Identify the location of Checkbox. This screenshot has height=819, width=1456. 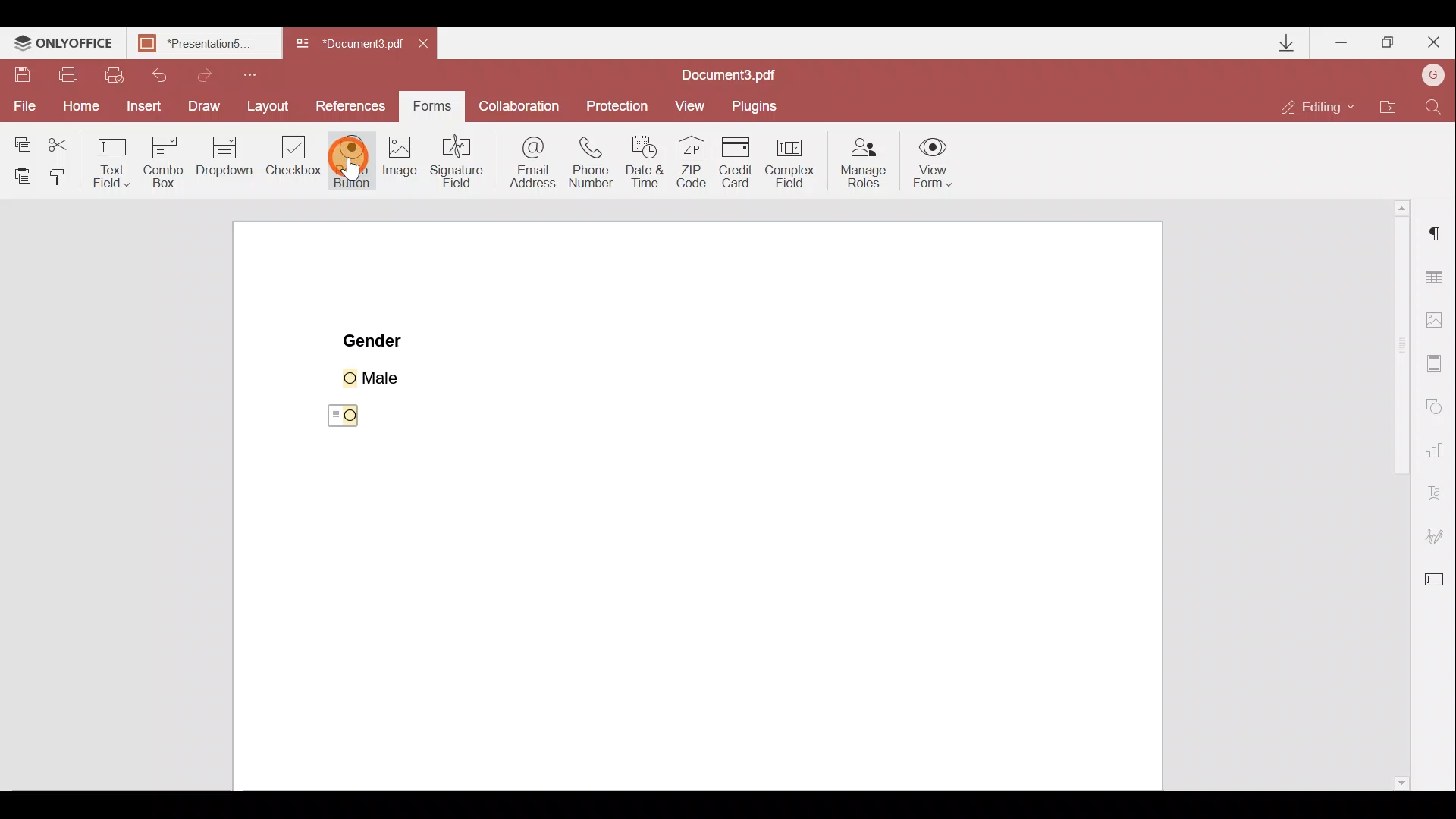
(295, 160).